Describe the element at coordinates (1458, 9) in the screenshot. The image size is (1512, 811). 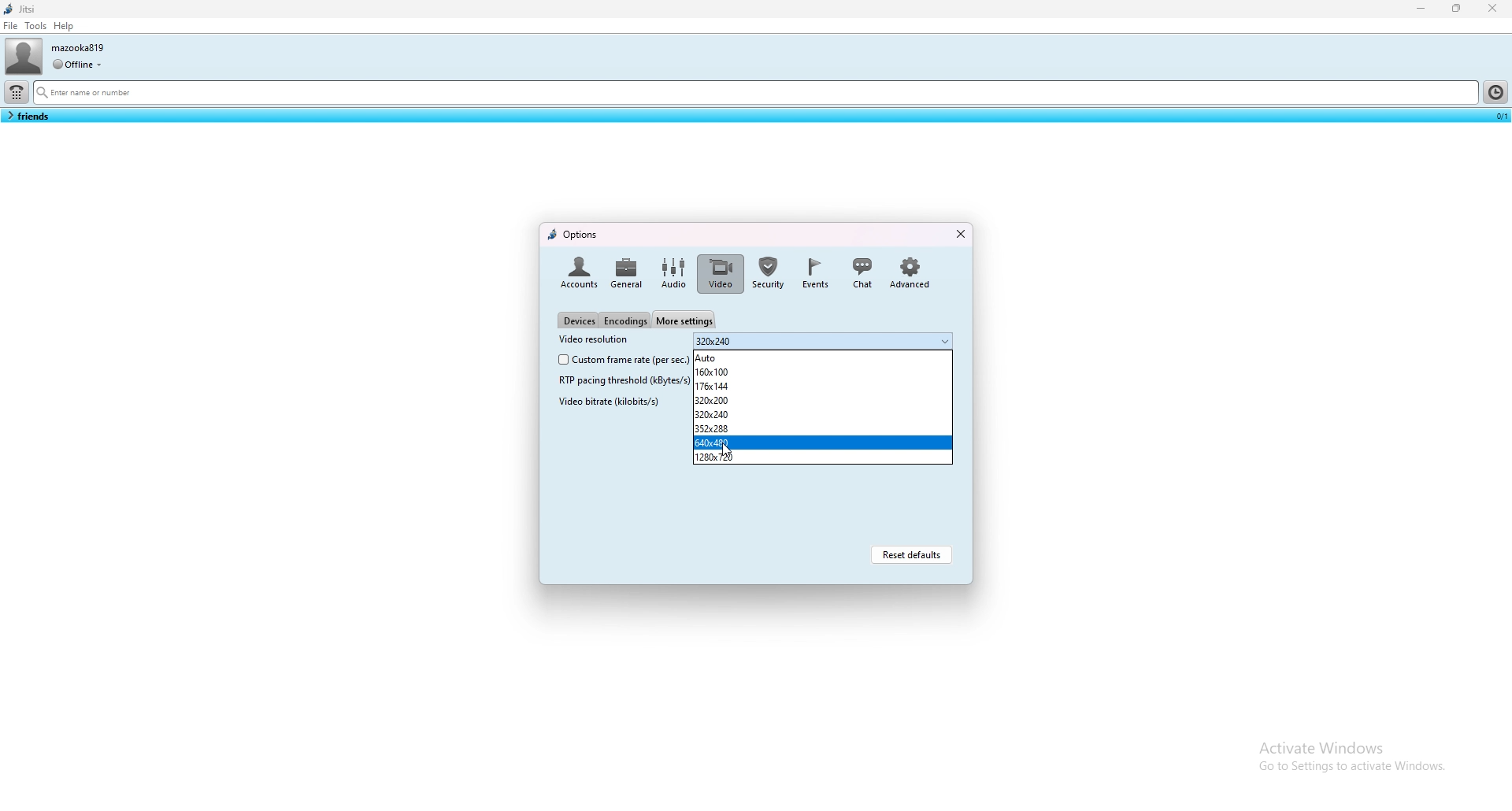
I see `resize` at that location.